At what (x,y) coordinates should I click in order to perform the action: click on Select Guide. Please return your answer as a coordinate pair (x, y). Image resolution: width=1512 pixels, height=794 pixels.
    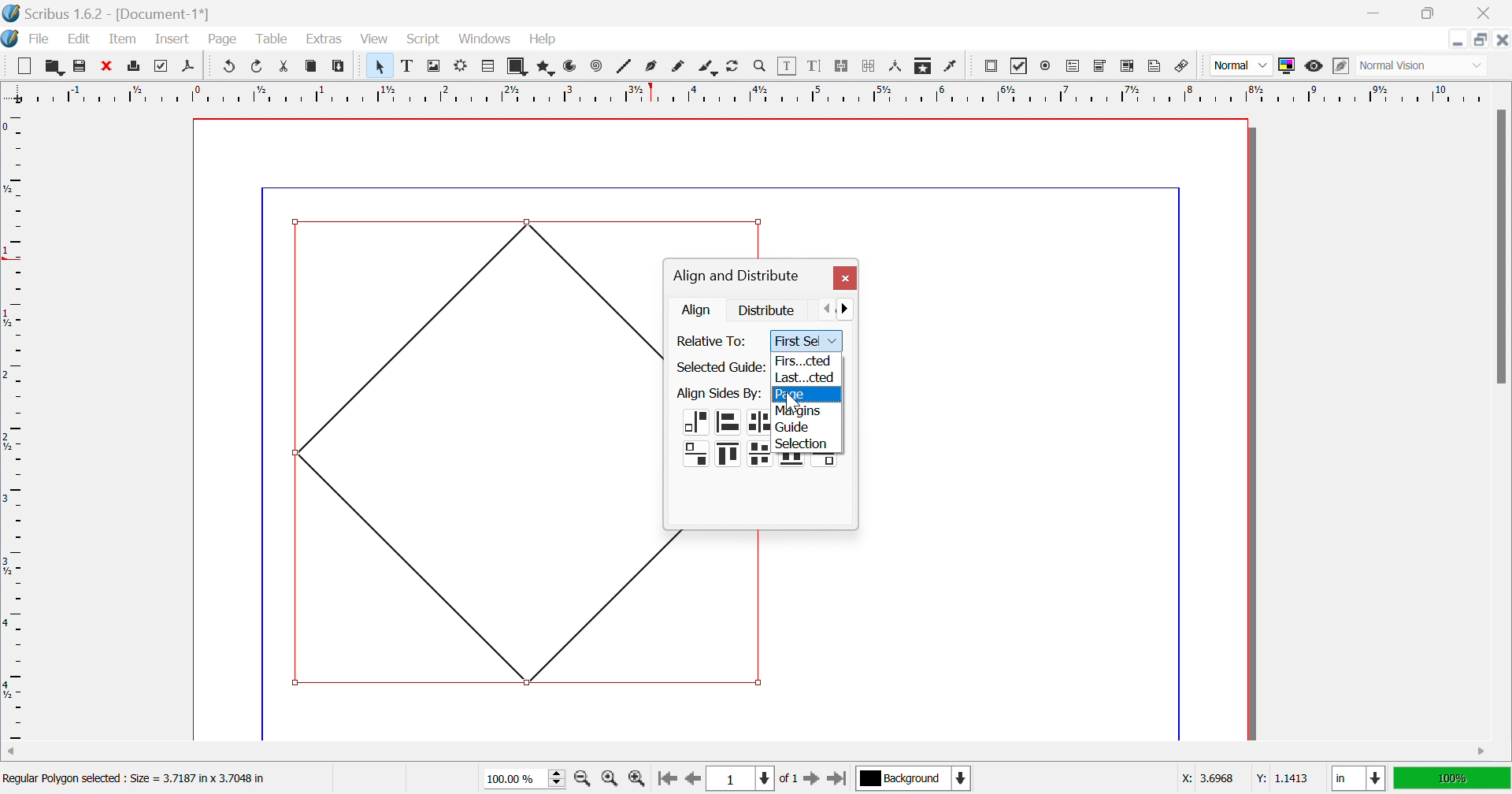
    Looking at the image, I should click on (719, 368).